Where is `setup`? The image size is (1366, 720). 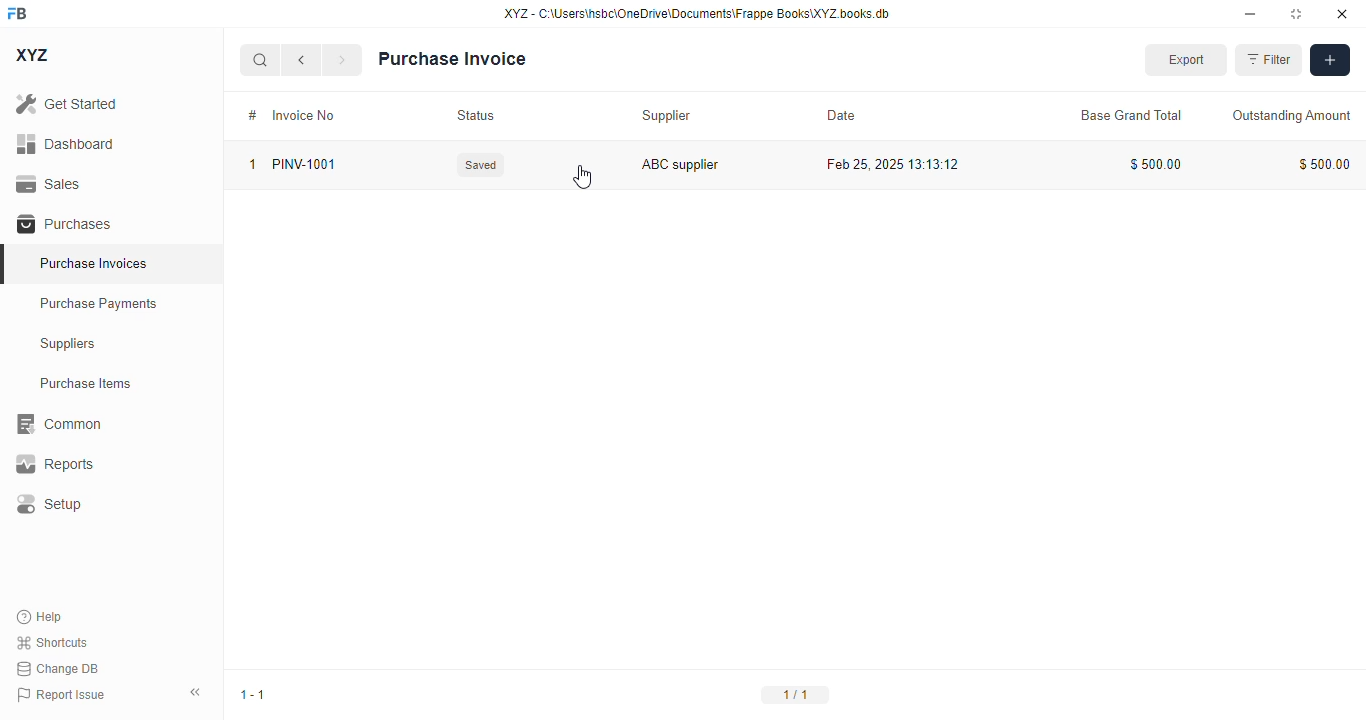 setup is located at coordinates (47, 505).